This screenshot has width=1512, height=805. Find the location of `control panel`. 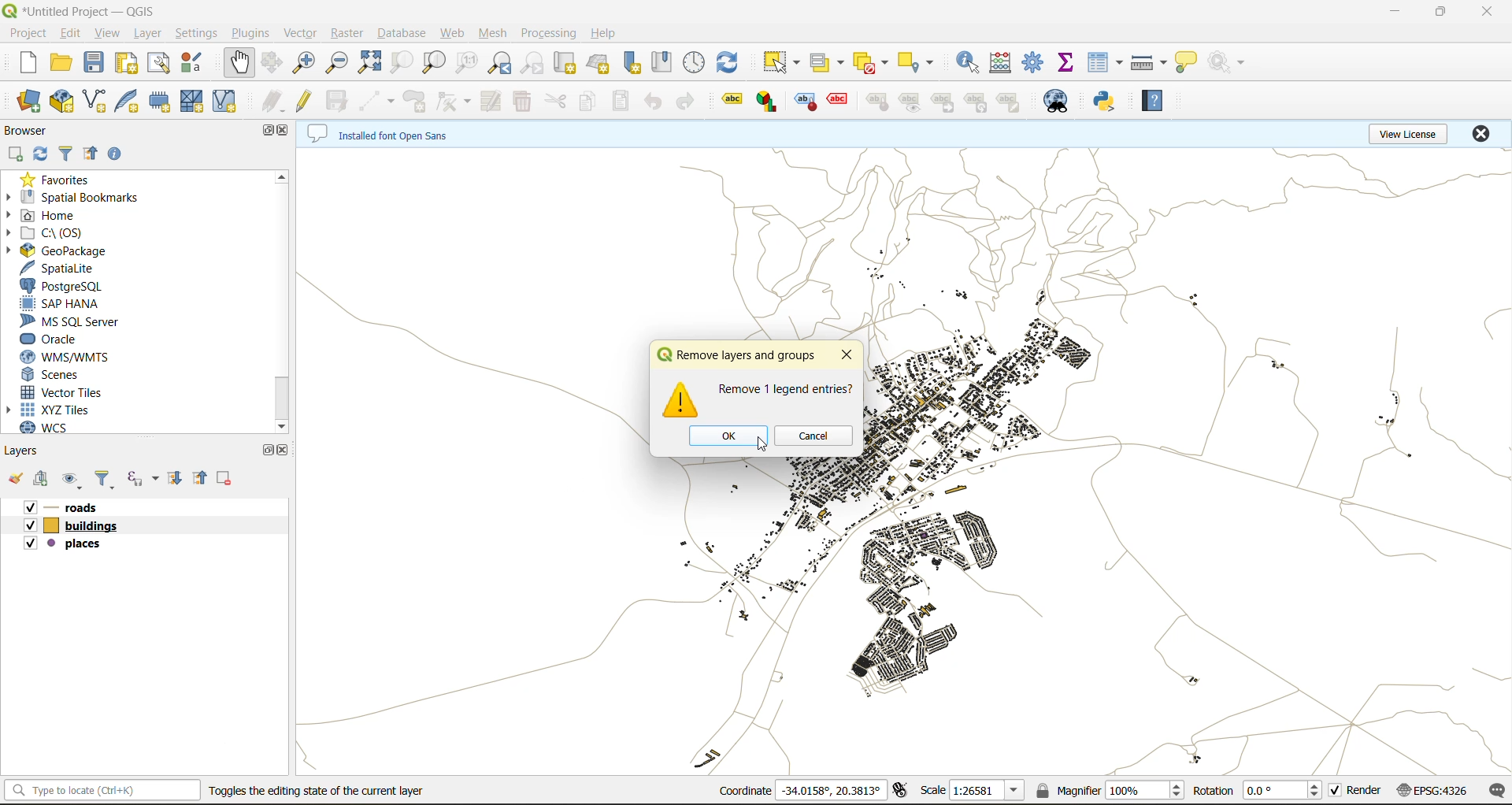

control panel is located at coordinates (697, 62).